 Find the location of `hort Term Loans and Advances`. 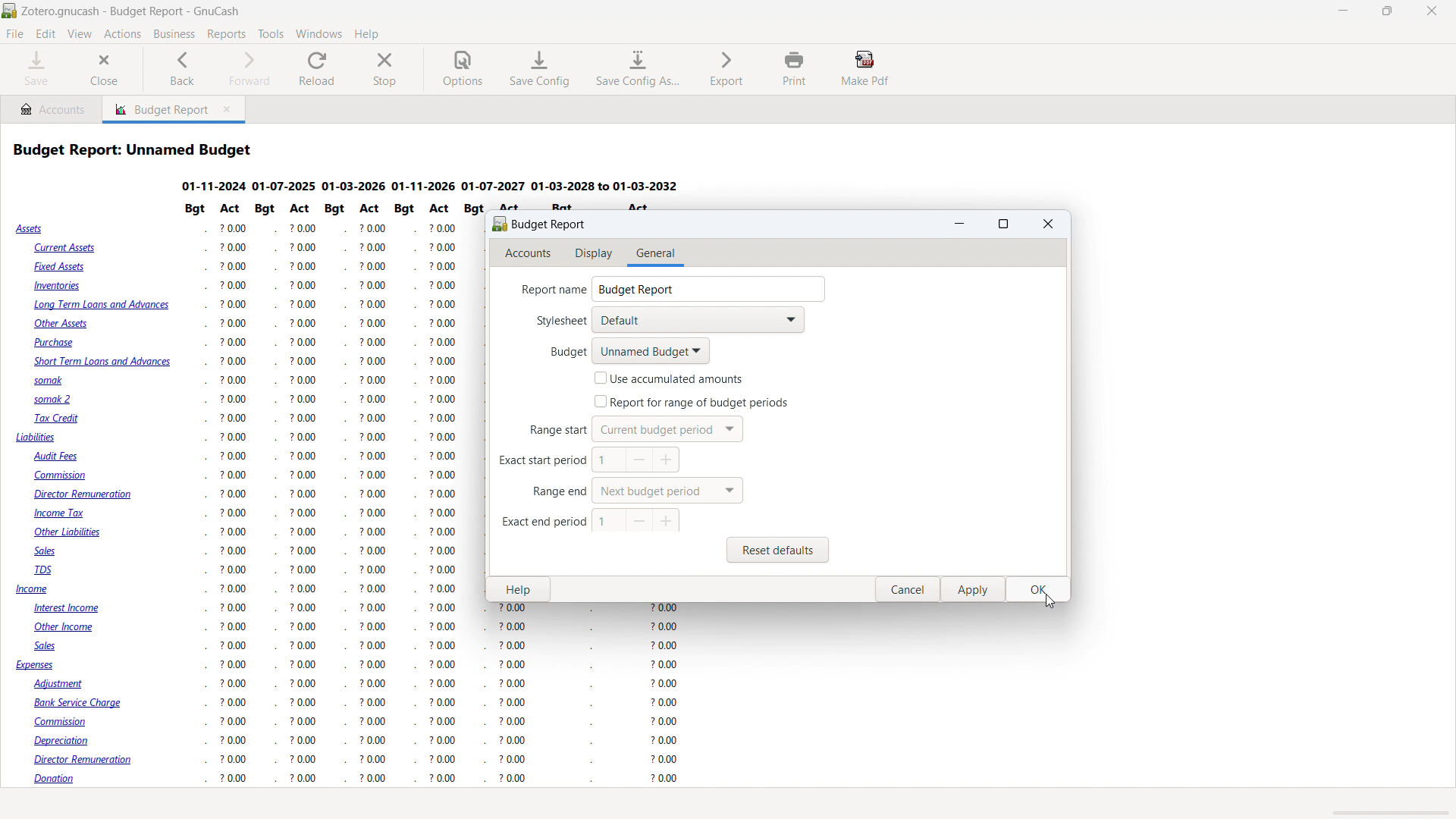

hort Term Loans and Advances is located at coordinates (100, 362).